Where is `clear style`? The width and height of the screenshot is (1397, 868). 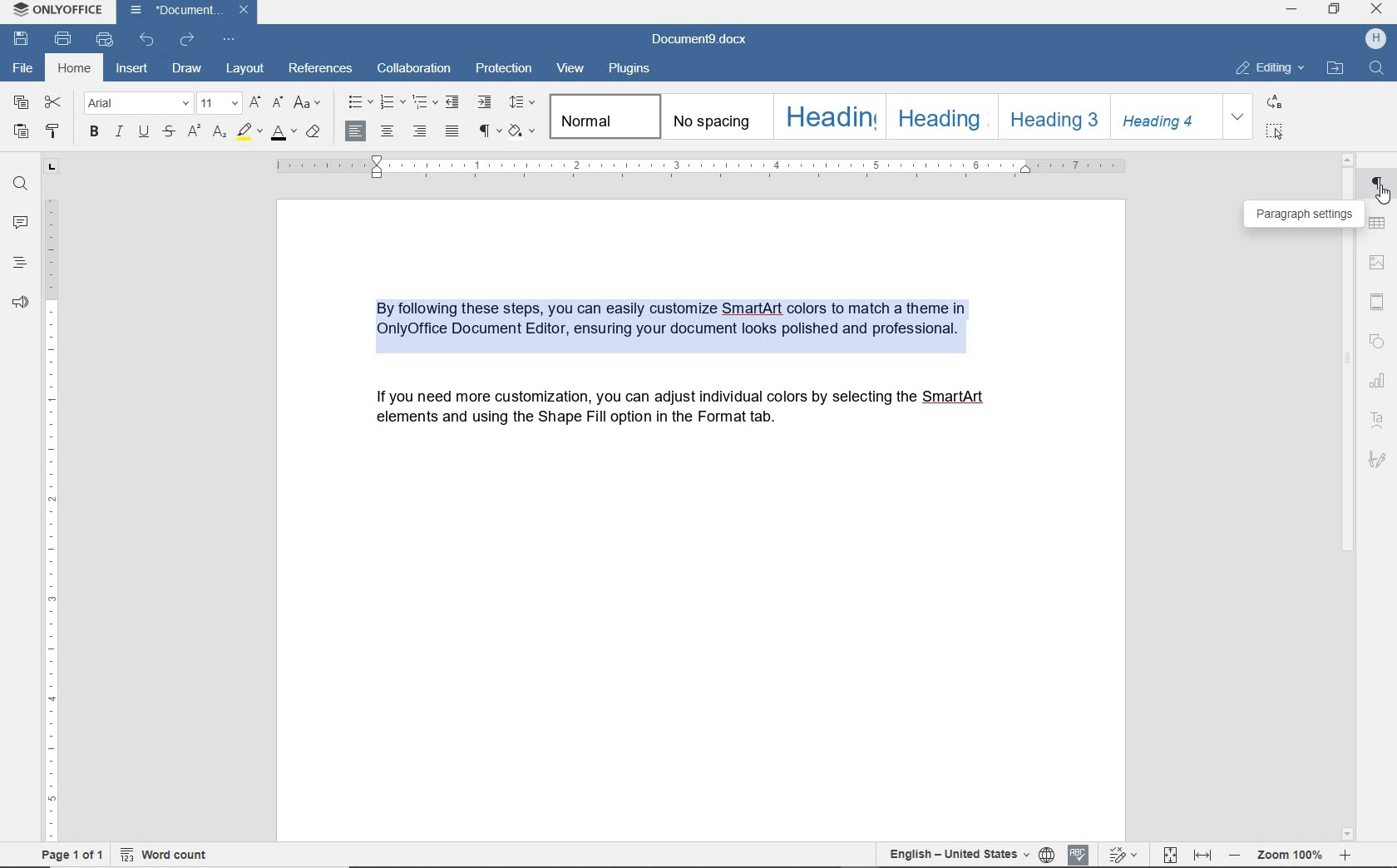 clear style is located at coordinates (313, 133).